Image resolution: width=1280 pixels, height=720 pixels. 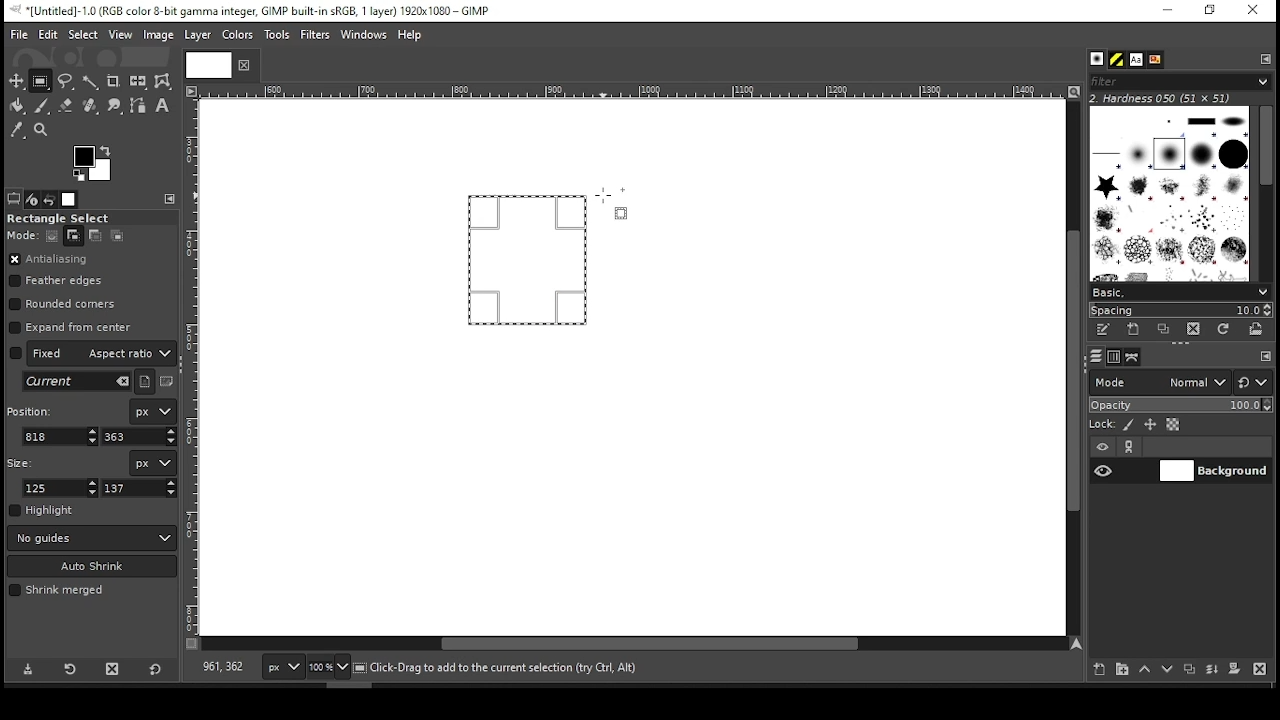 What do you see at coordinates (1097, 60) in the screenshot?
I see `brushes` at bounding box center [1097, 60].